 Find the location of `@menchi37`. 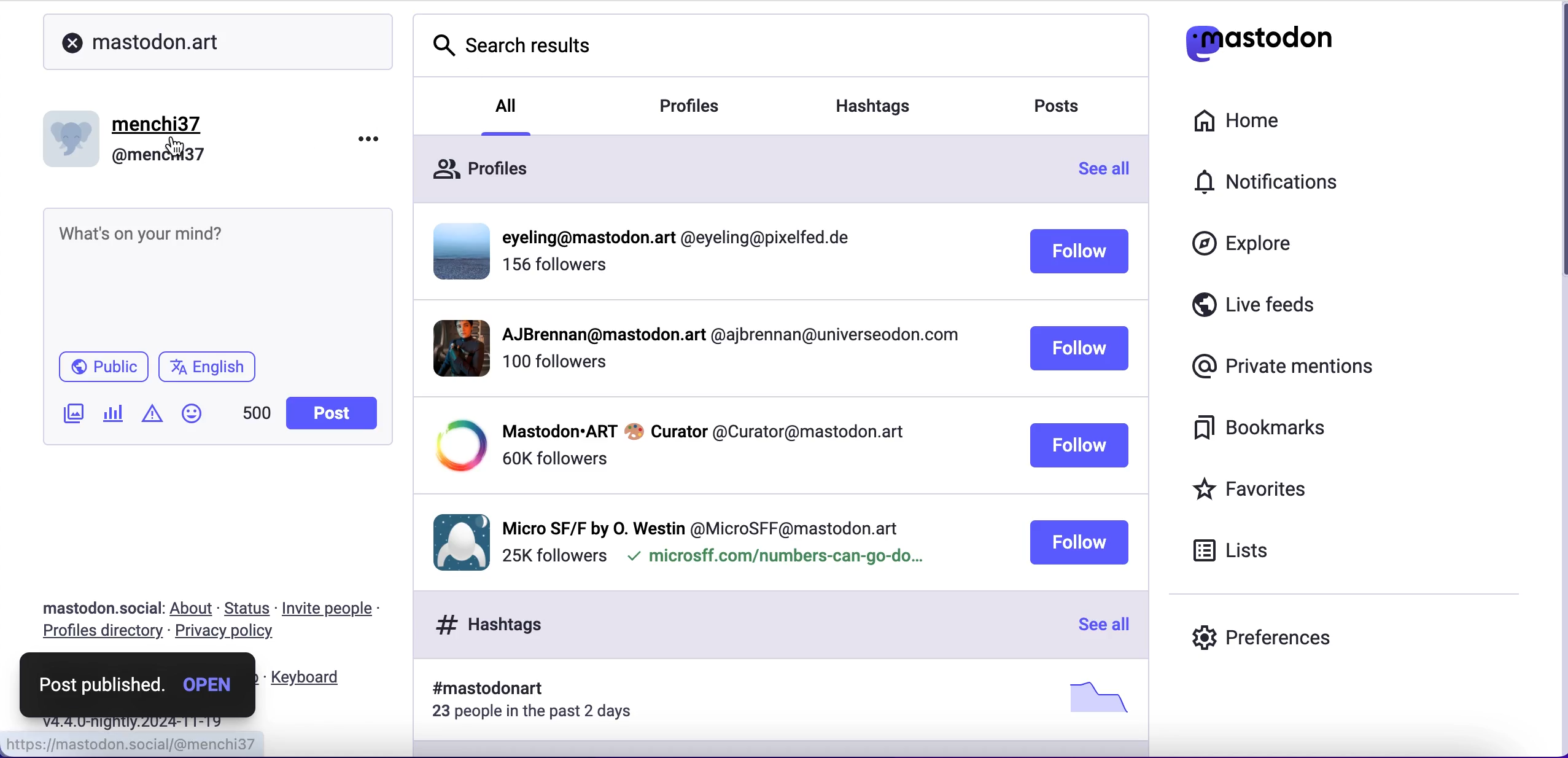

@menchi37 is located at coordinates (159, 156).